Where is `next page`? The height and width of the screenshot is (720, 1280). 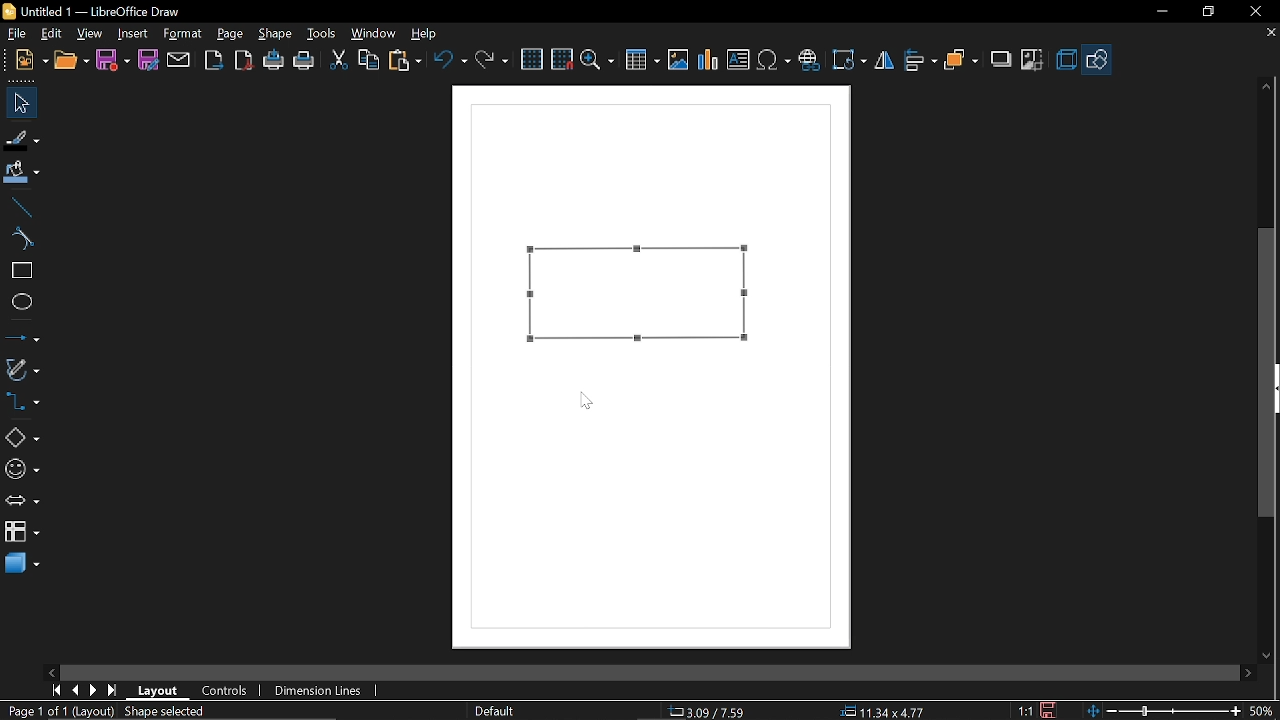
next page is located at coordinates (93, 691).